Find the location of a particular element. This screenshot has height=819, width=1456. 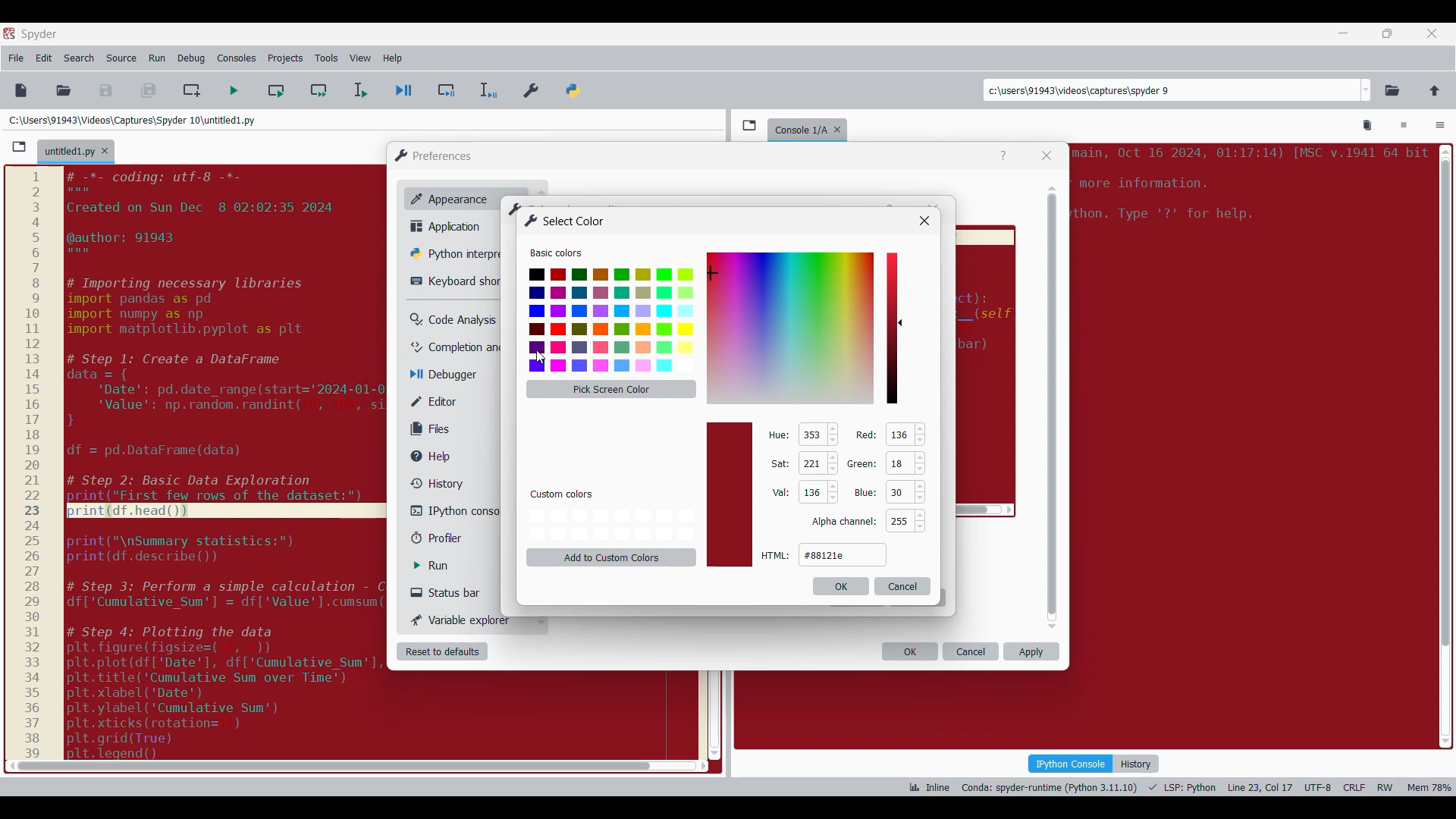

Projects menu is located at coordinates (285, 58).